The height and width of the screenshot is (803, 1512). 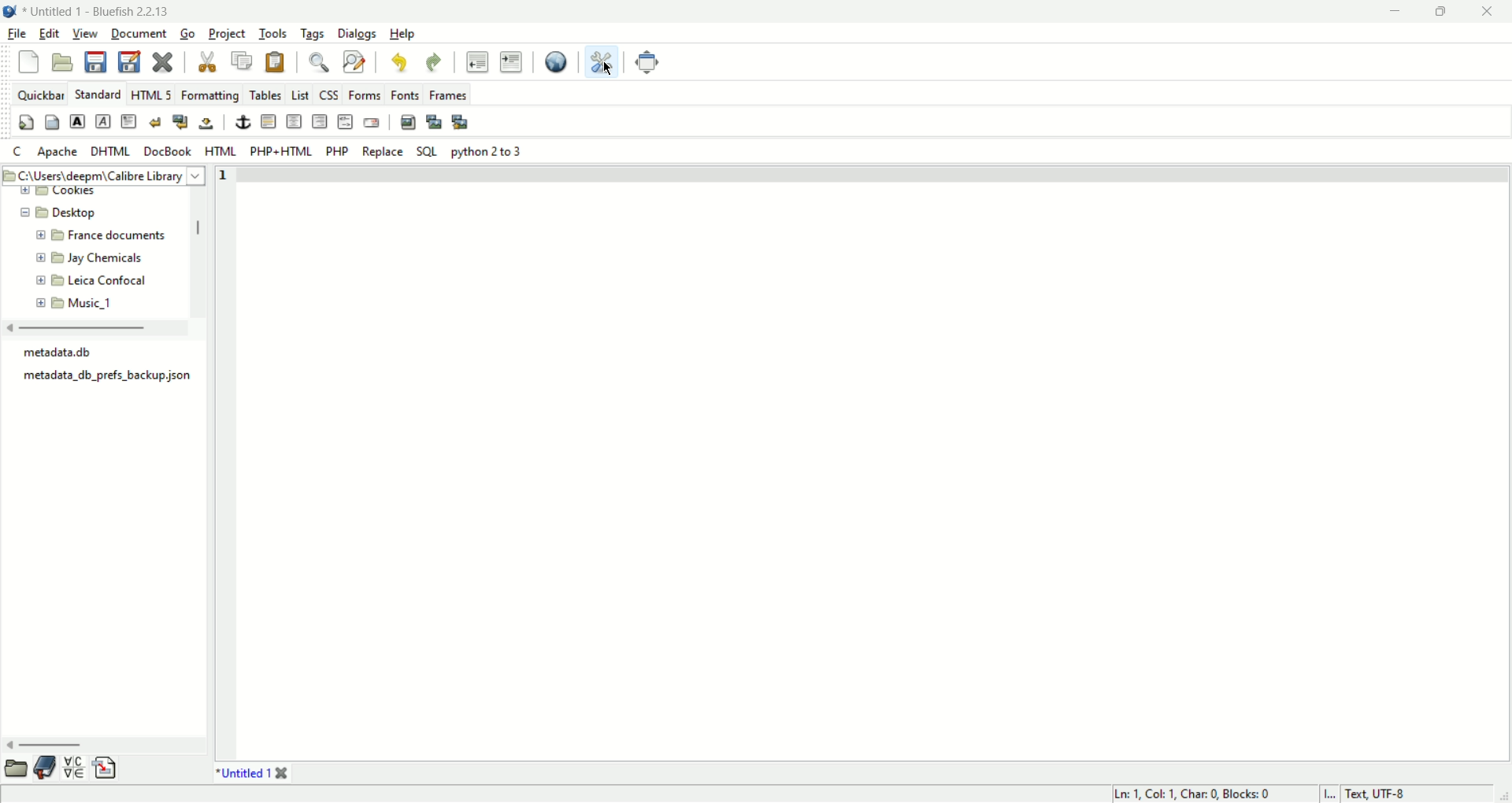 I want to click on vertical scroll bar, so click(x=200, y=231).